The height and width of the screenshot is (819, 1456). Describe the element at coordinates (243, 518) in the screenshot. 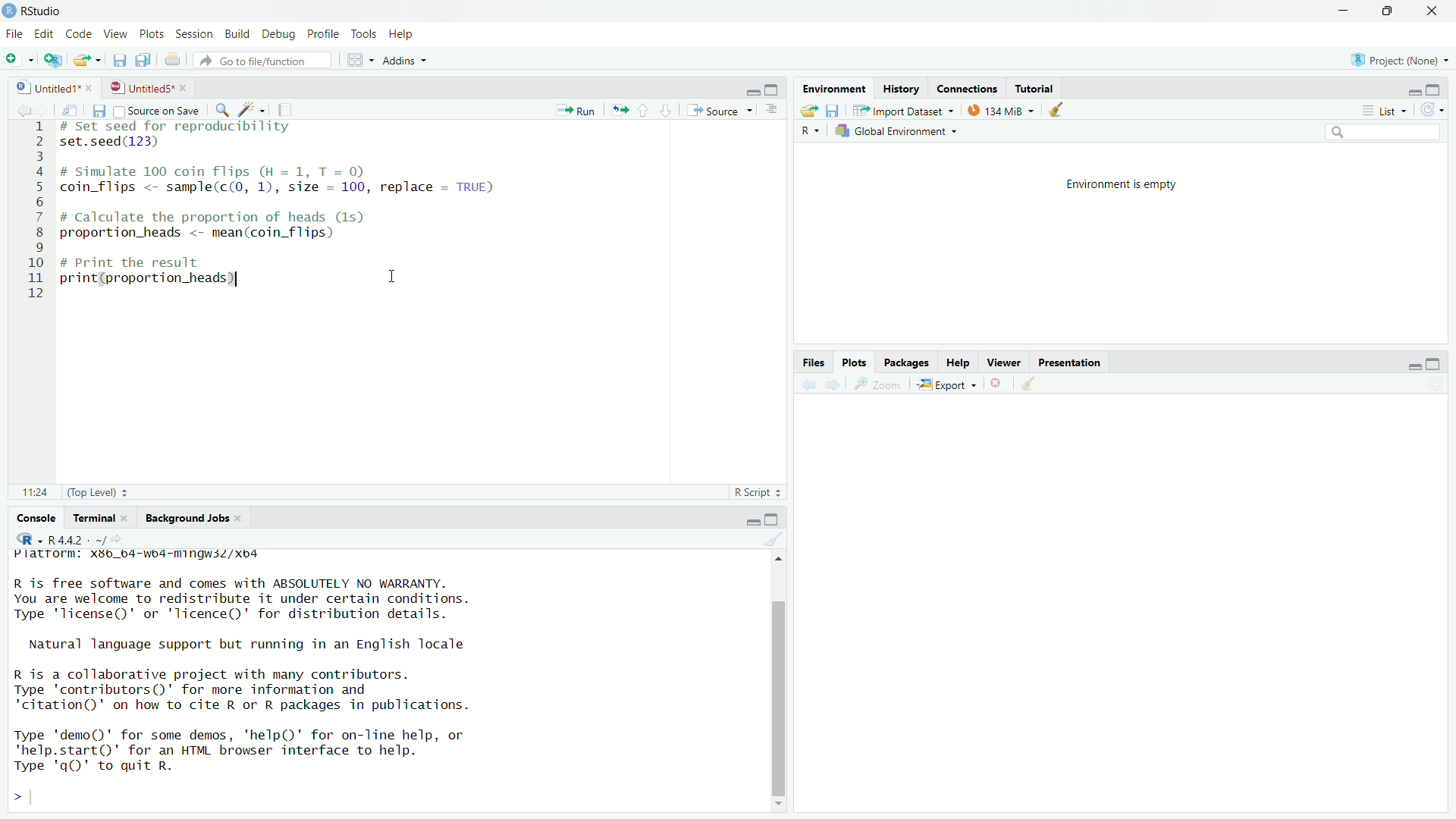

I see `close` at that location.